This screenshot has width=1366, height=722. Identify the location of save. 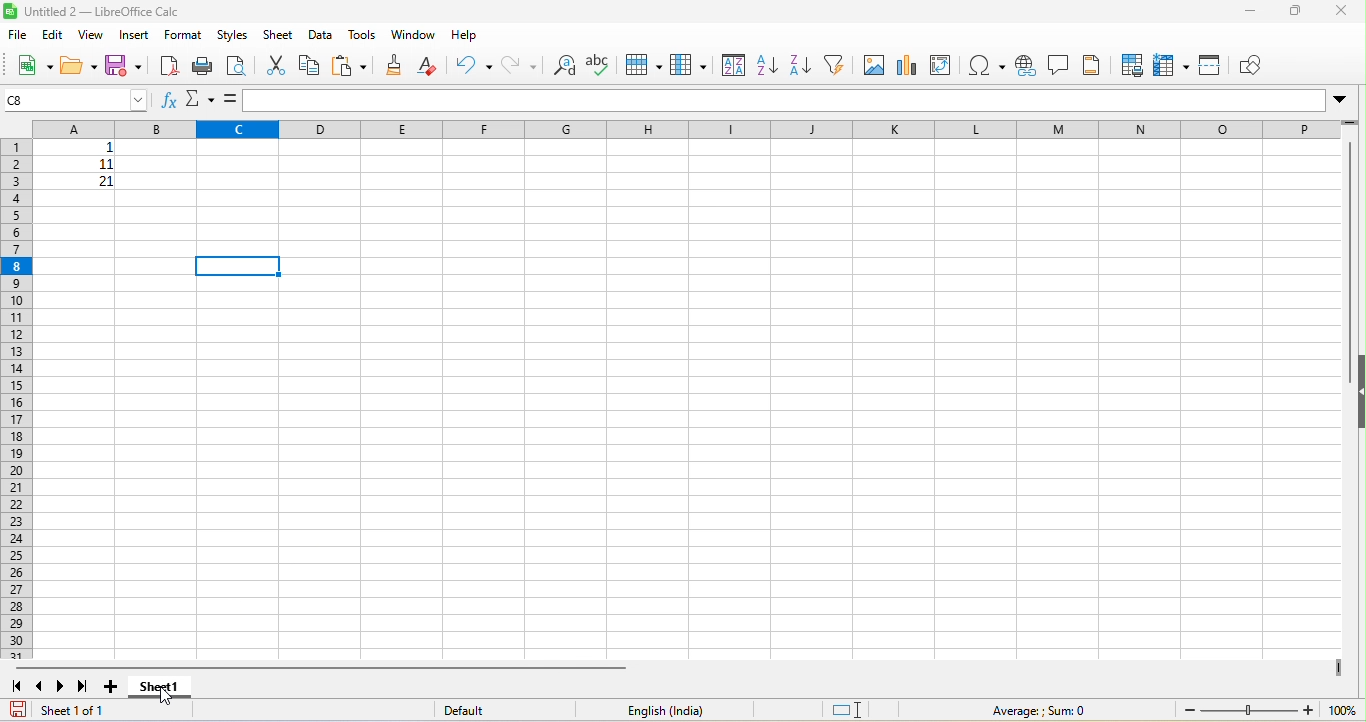
(124, 66).